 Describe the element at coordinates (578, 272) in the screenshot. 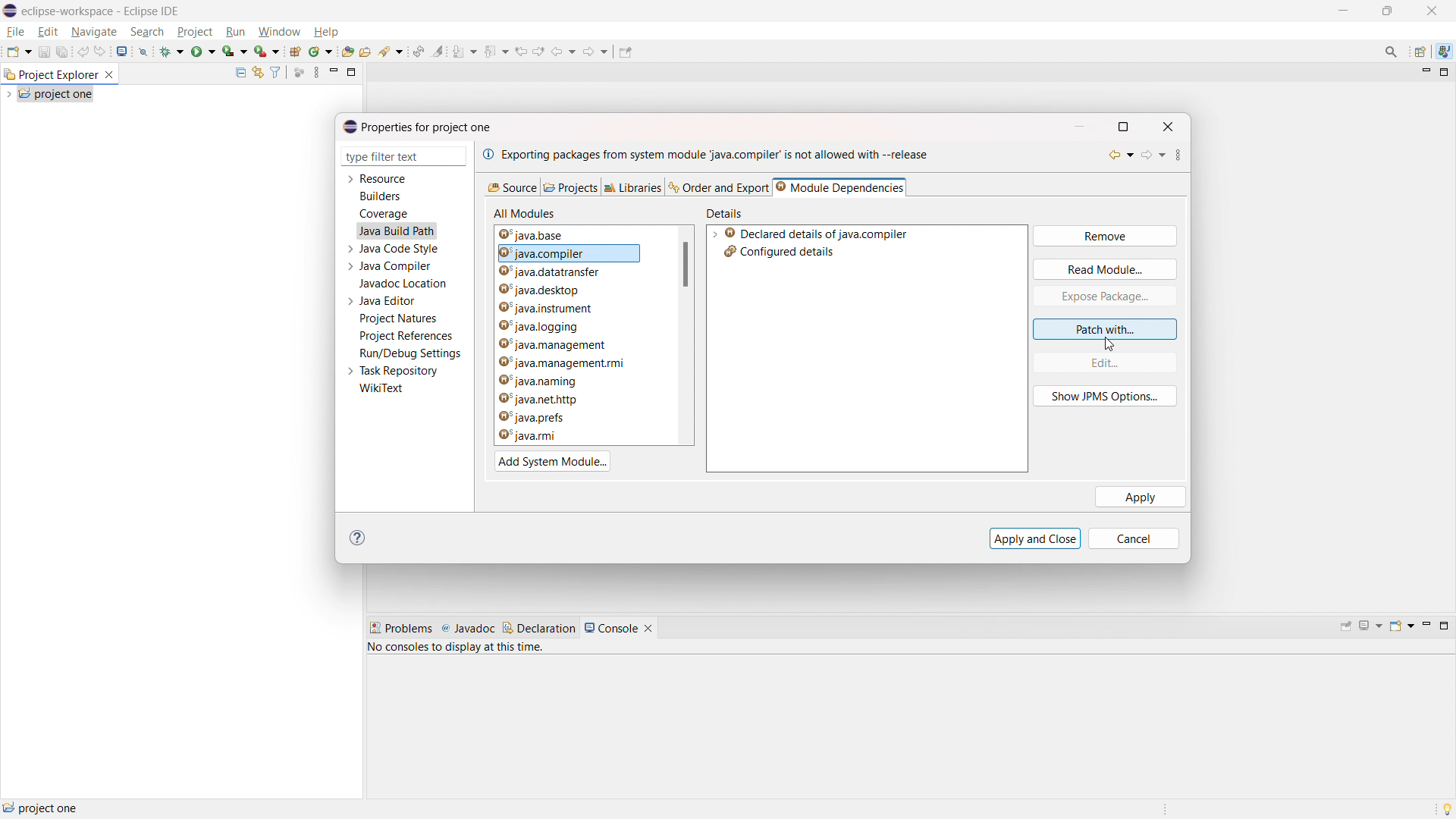

I see `java.datatransfer` at that location.